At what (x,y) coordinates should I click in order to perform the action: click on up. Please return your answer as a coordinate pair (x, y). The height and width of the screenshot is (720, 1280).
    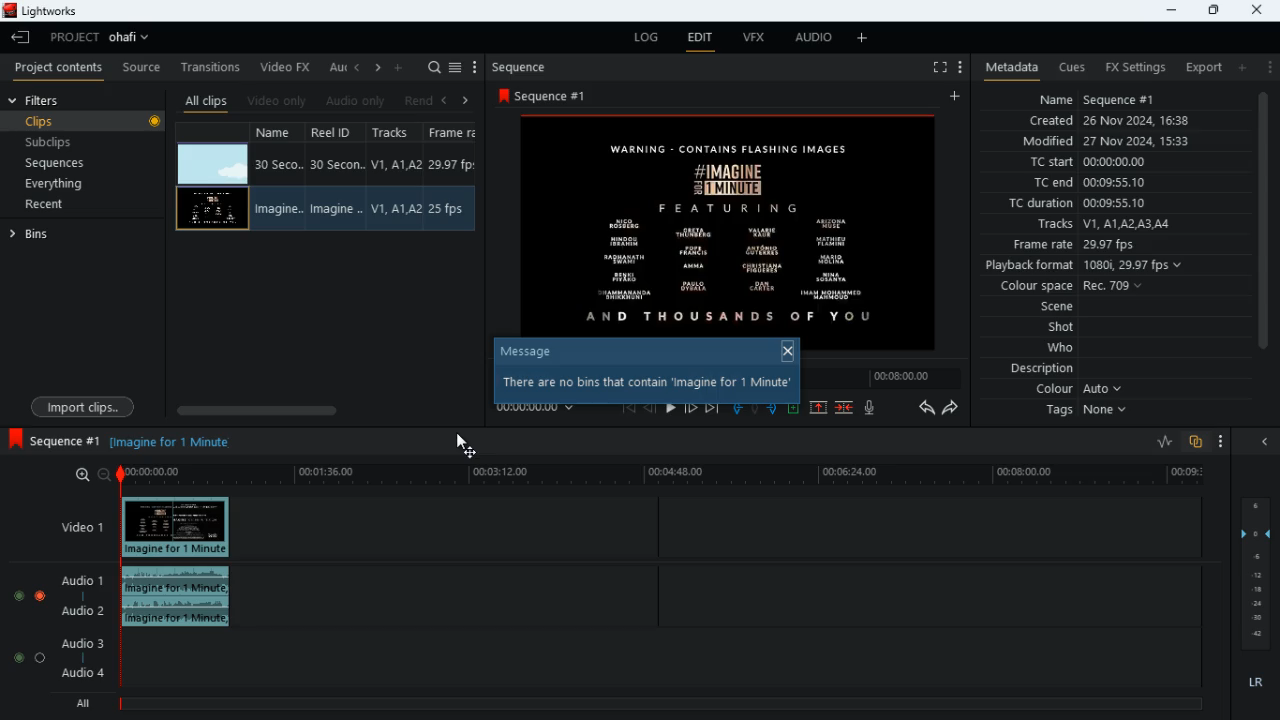
    Looking at the image, I should click on (793, 409).